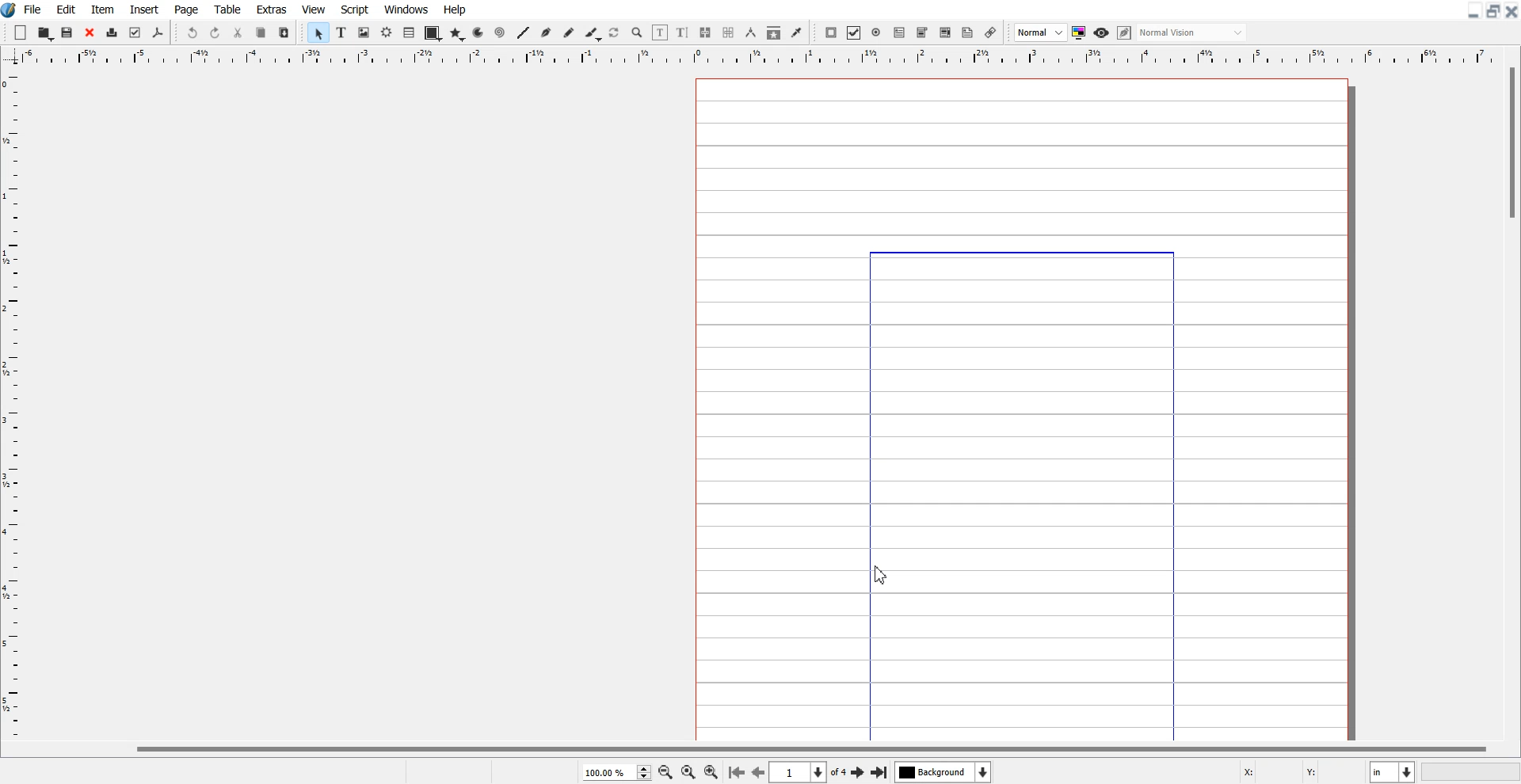 The image size is (1521, 784). Describe the element at coordinates (136, 32) in the screenshot. I see `Preflight Verifier` at that location.